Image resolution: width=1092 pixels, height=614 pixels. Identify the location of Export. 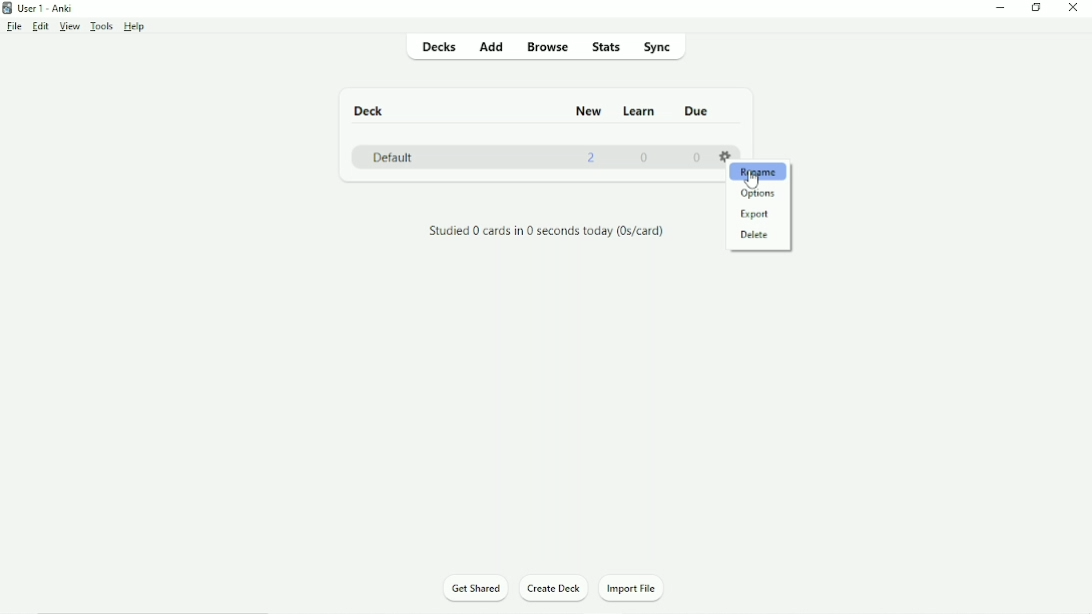
(757, 215).